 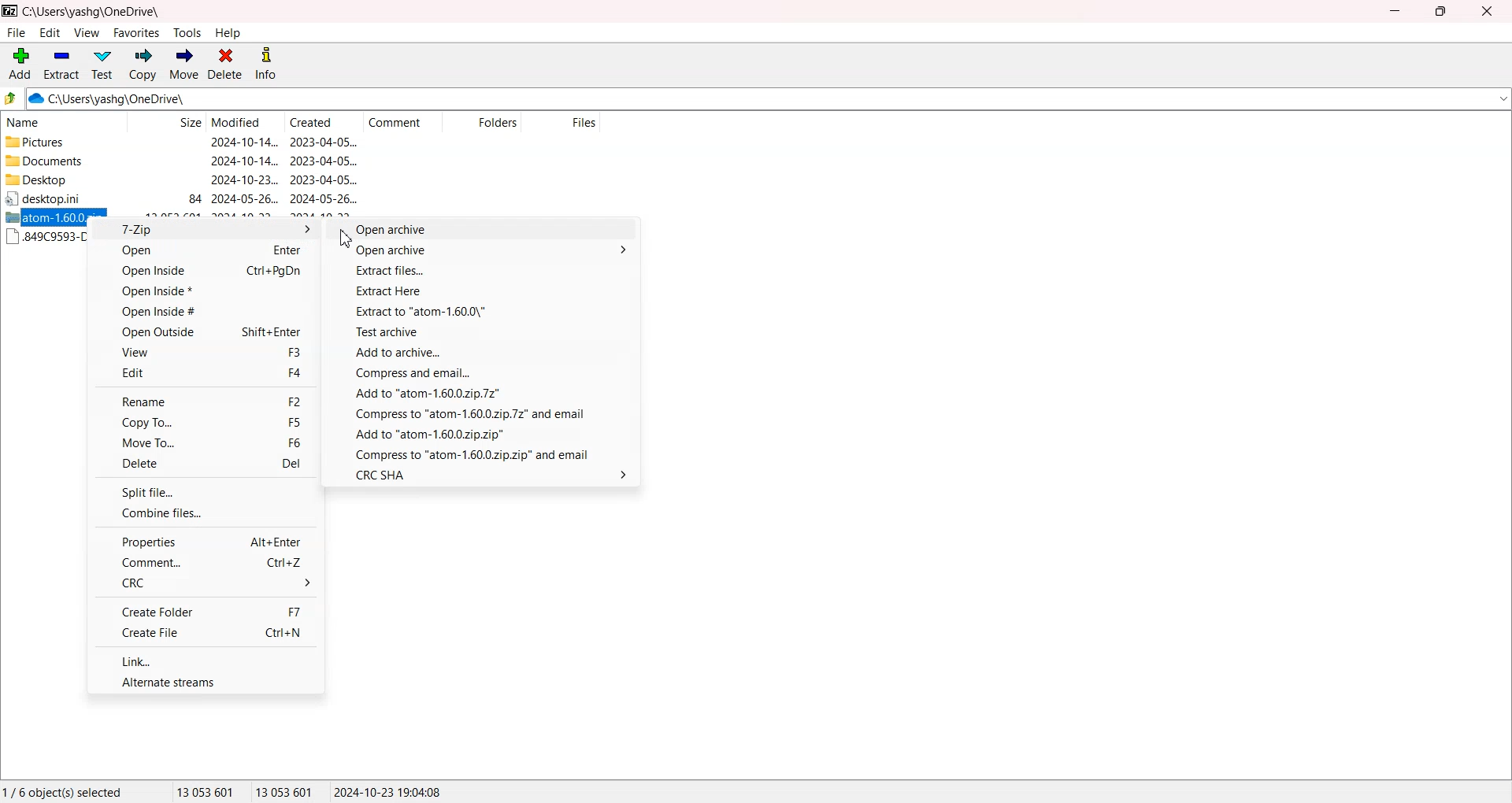 I want to click on Cursor, so click(x=348, y=239).